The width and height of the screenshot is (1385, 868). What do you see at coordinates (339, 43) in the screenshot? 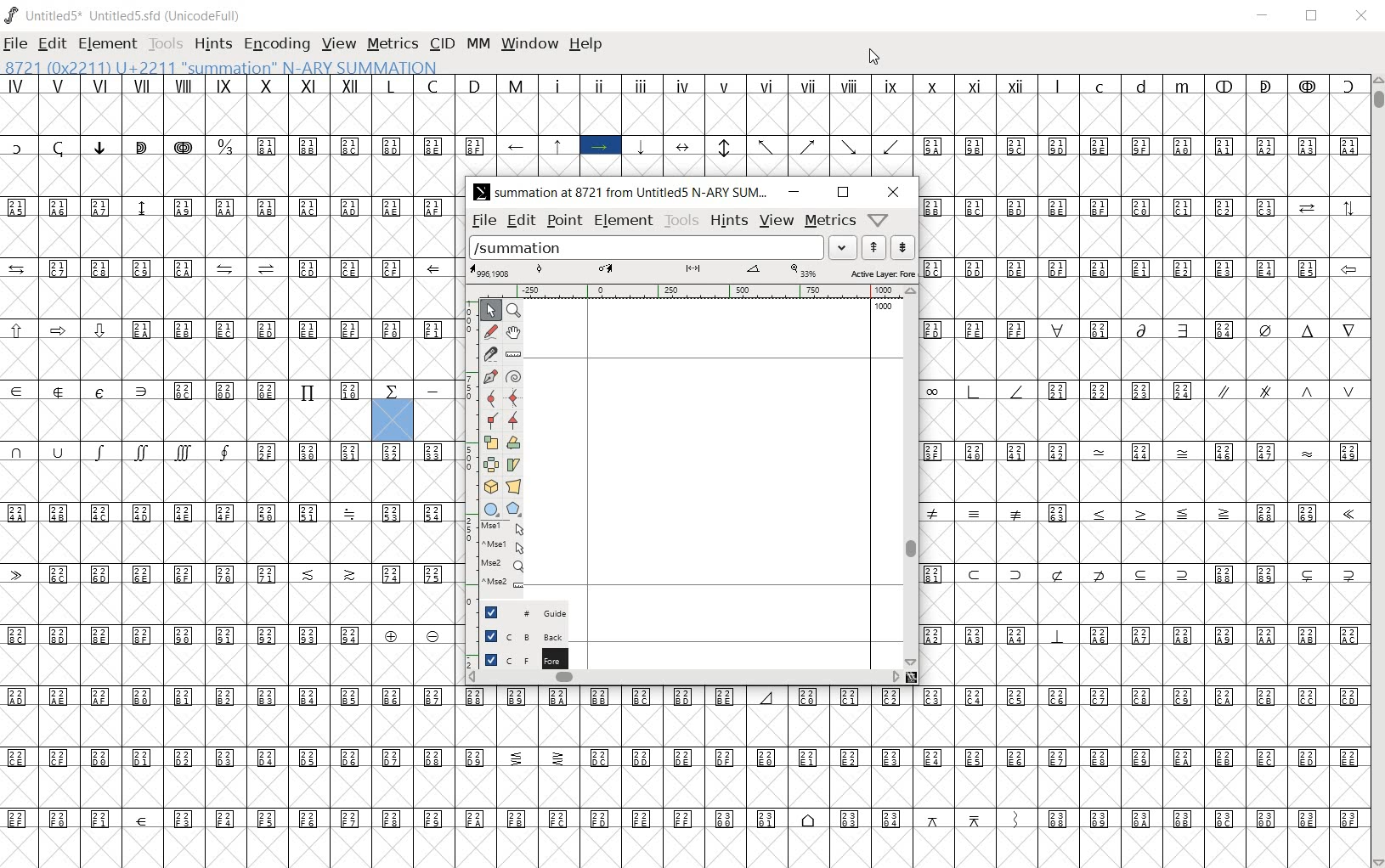
I see `VIEW` at bounding box center [339, 43].